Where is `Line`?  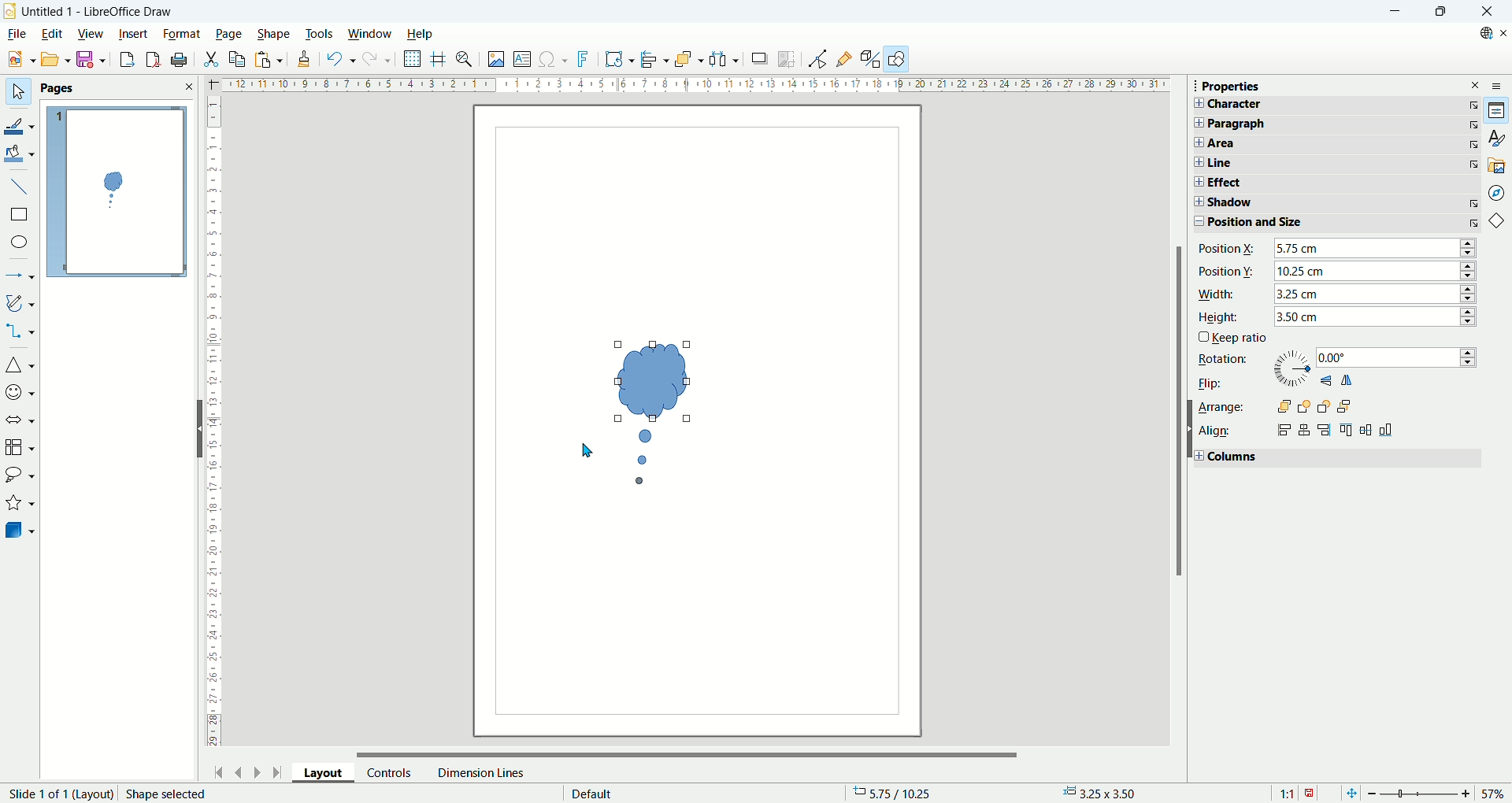
Line is located at coordinates (1277, 163).